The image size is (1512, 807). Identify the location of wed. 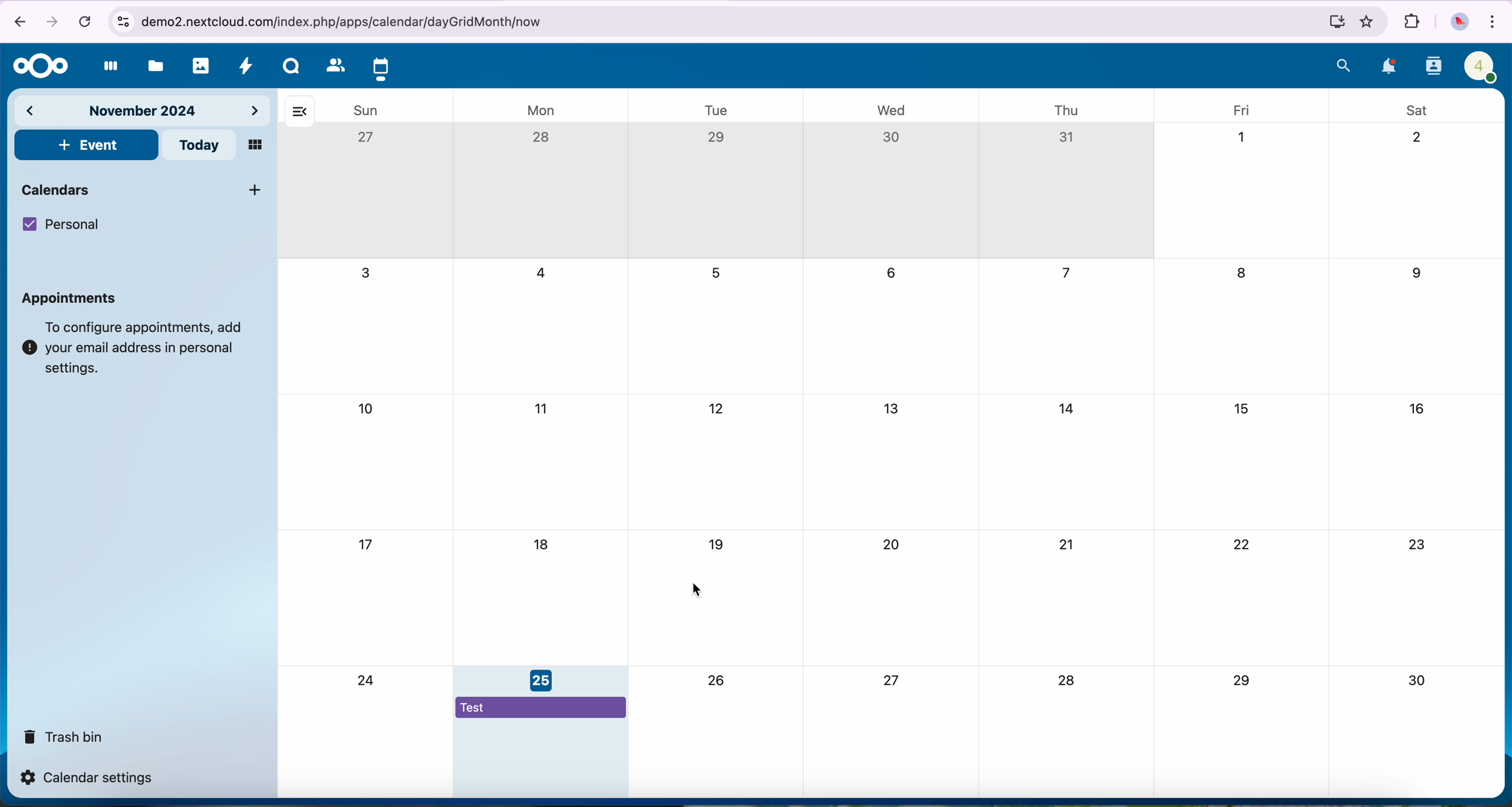
(890, 109).